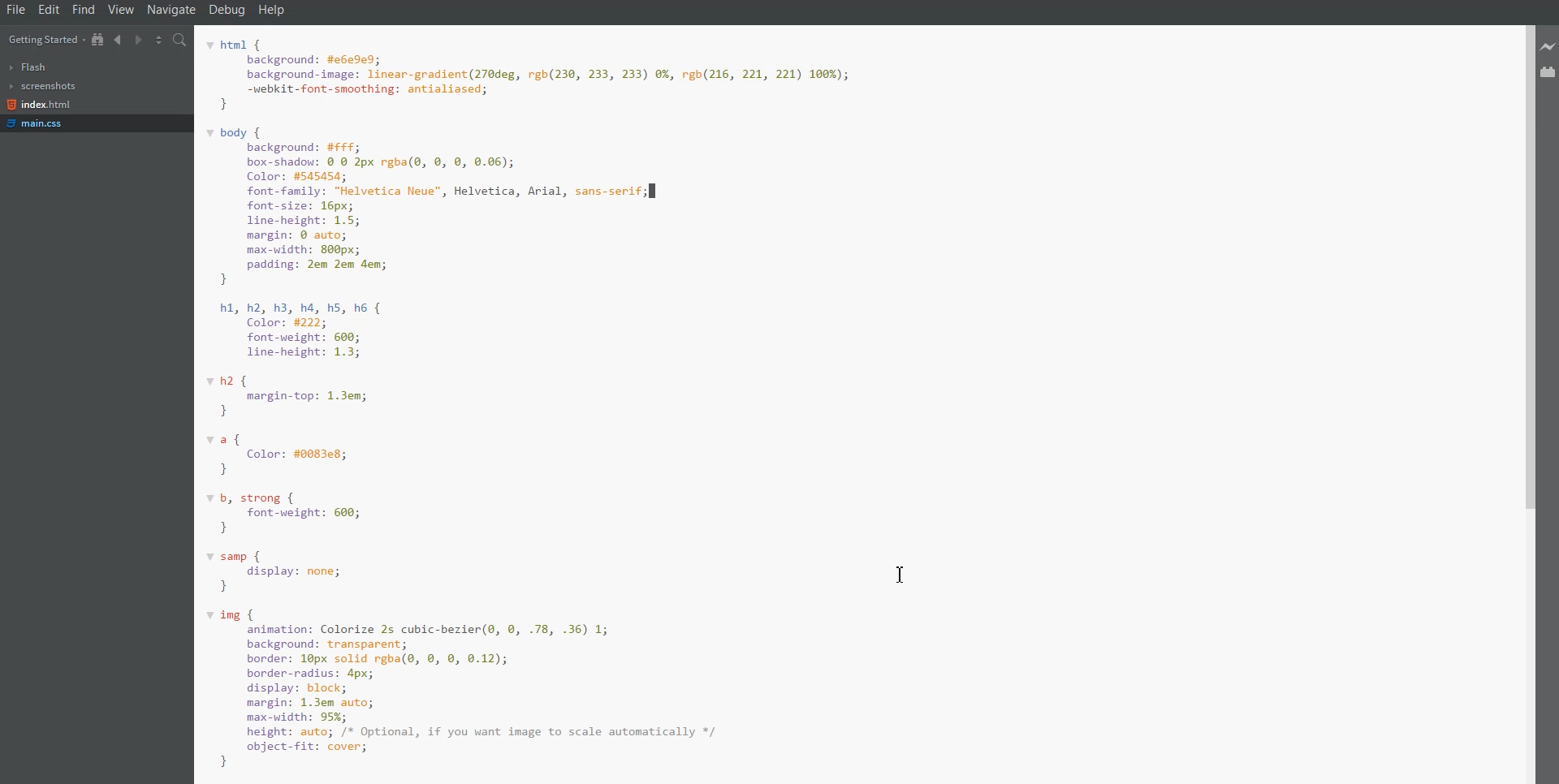 Image resolution: width=1559 pixels, height=784 pixels. What do you see at coordinates (15, 10) in the screenshot?
I see `File` at bounding box center [15, 10].